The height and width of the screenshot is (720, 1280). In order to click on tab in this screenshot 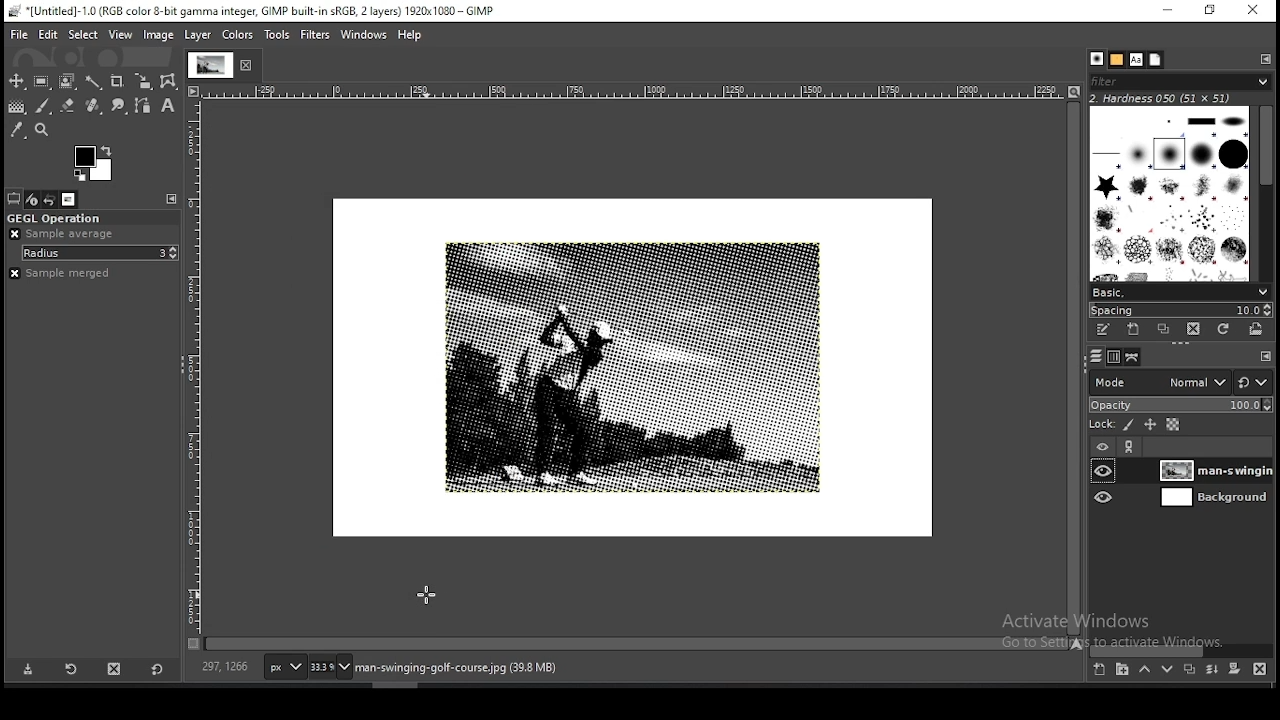, I will do `click(225, 66)`.